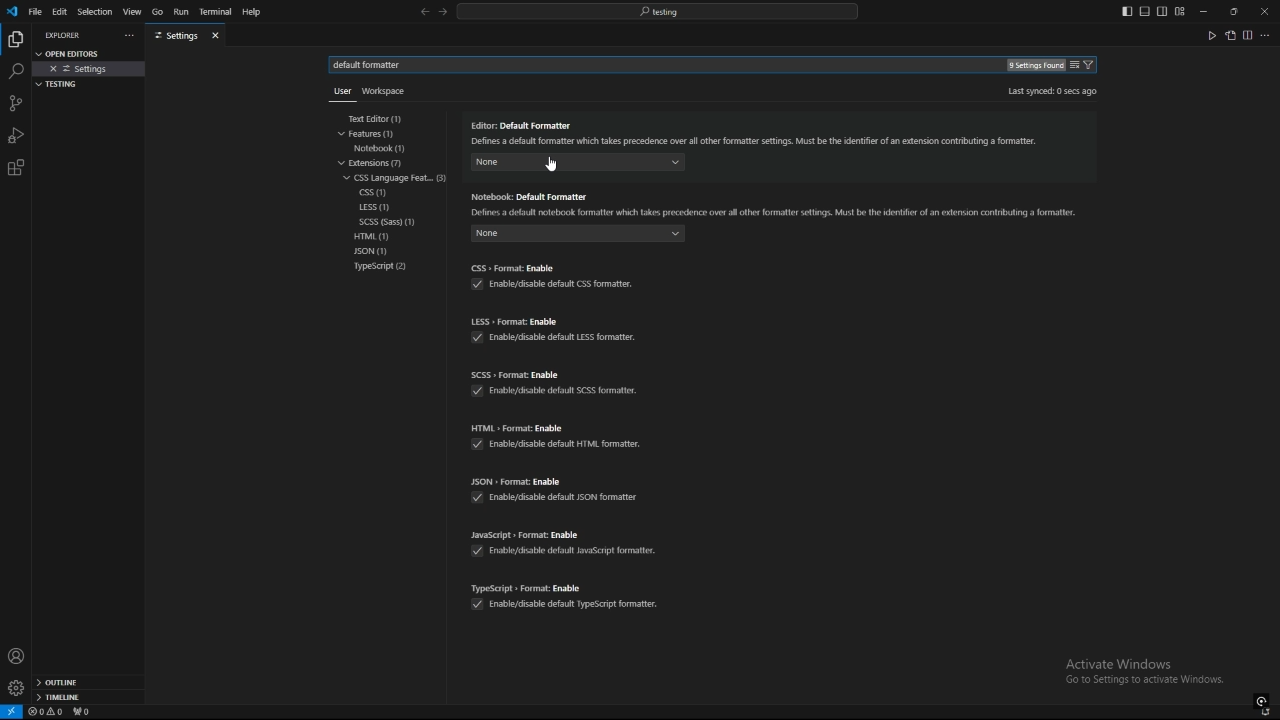 This screenshot has height=720, width=1280. Describe the element at coordinates (564, 605) in the screenshot. I see `enable /disable default typescript formatter` at that location.